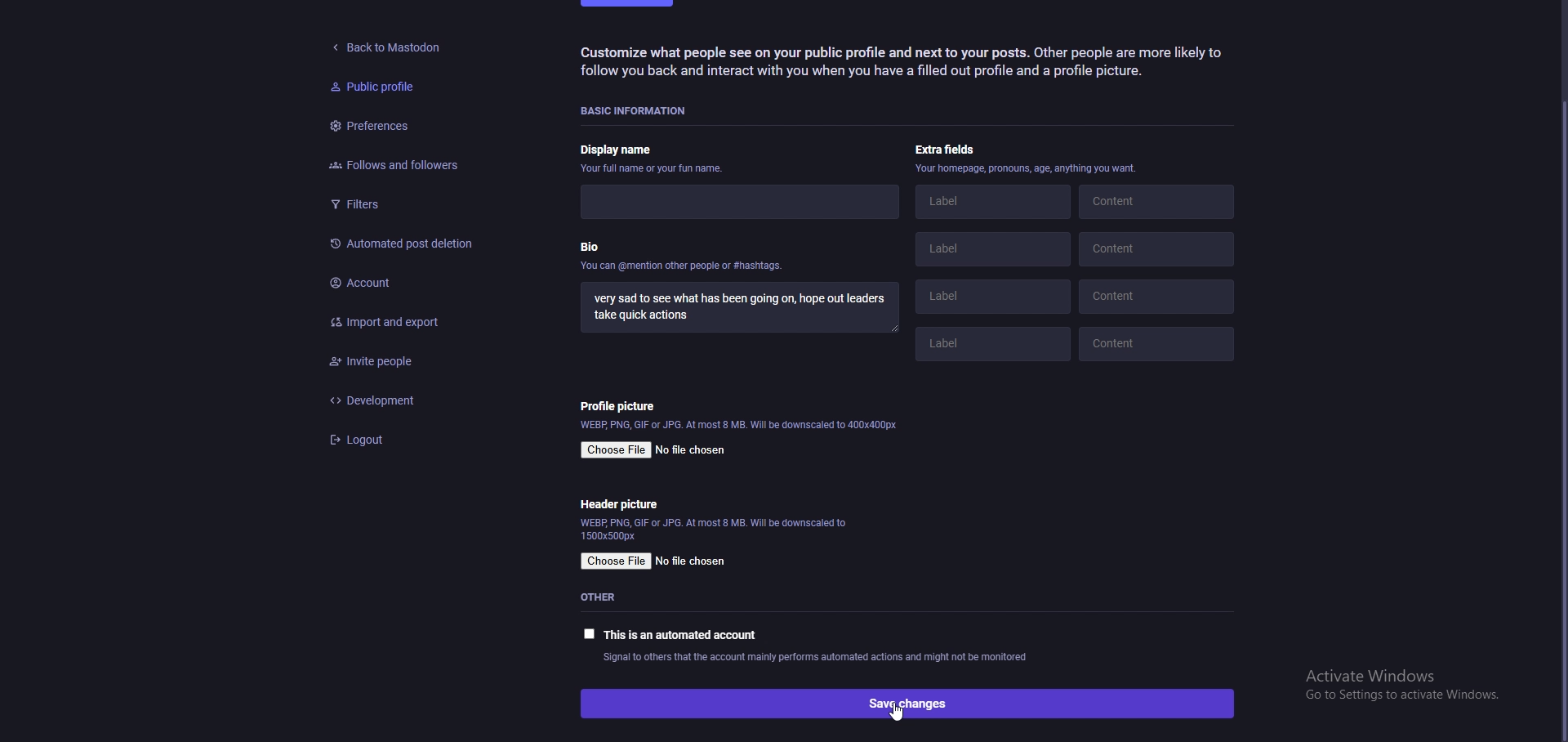 Image resolution: width=1568 pixels, height=742 pixels. What do you see at coordinates (950, 150) in the screenshot?
I see `extra fields` at bounding box center [950, 150].